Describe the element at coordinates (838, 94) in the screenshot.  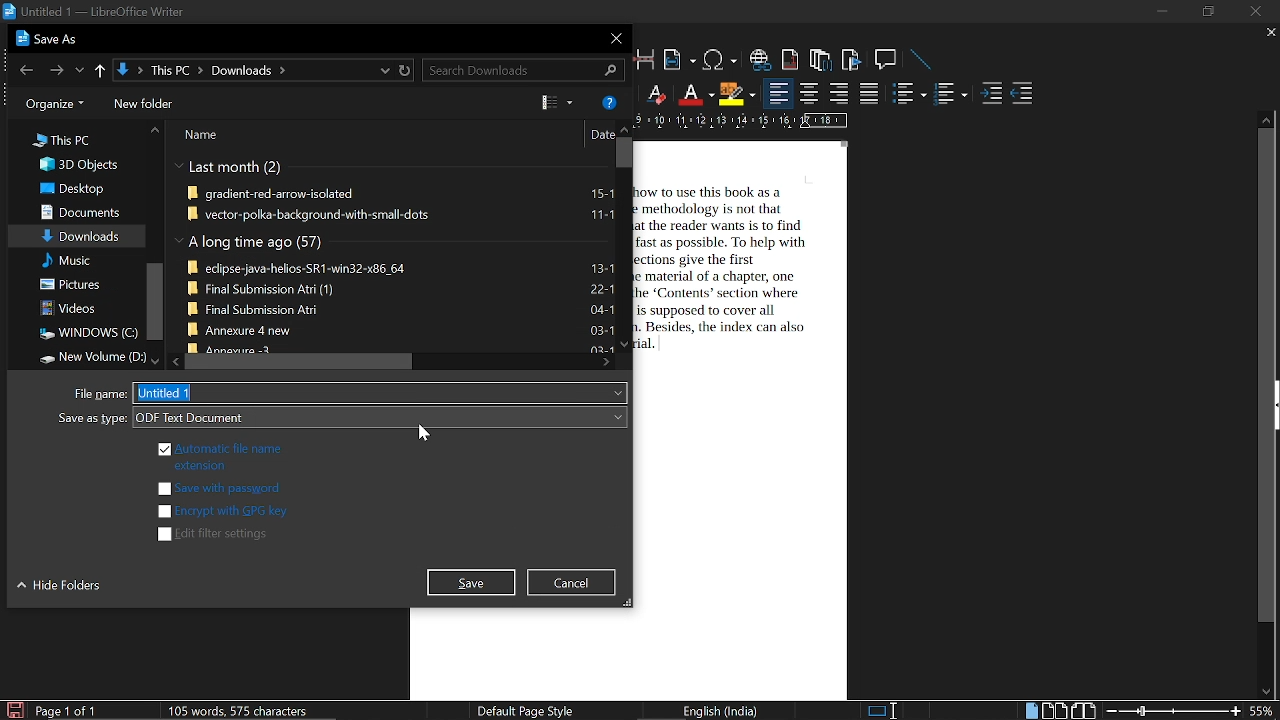
I see `align right` at that location.